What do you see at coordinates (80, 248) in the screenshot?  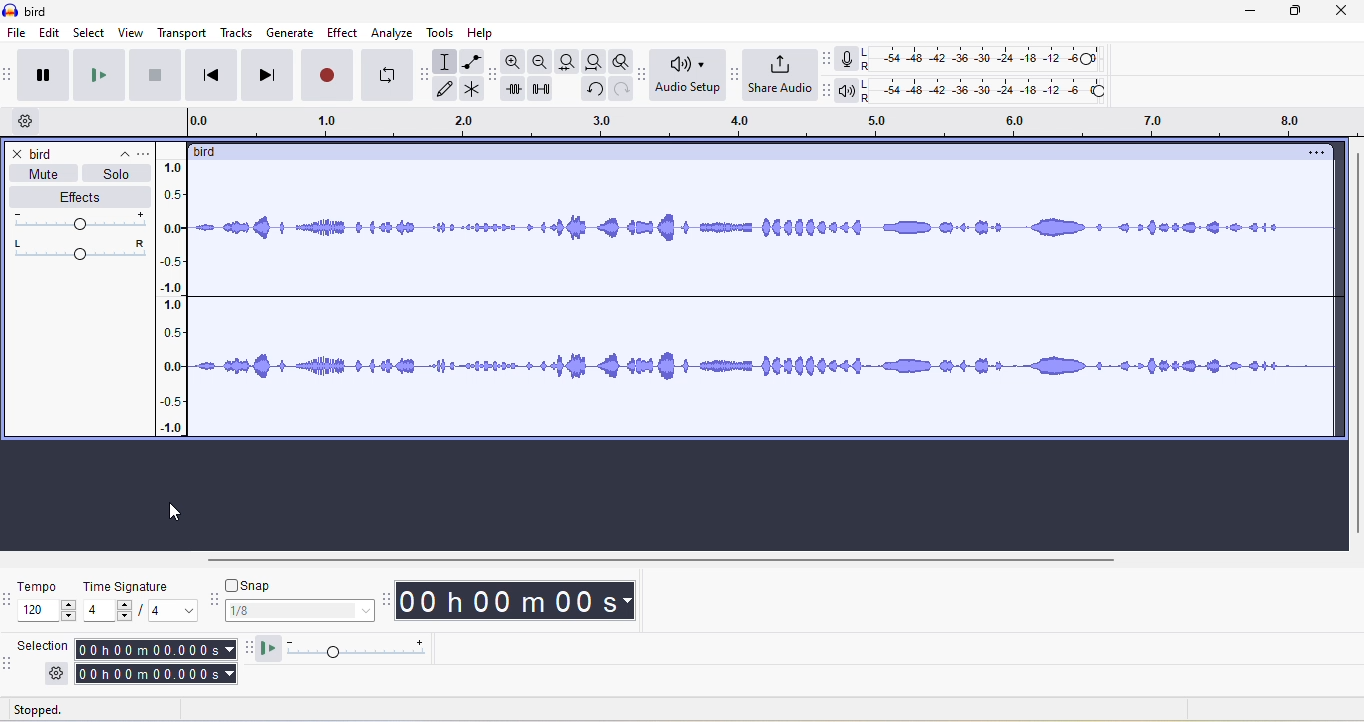 I see `pan:  center` at bounding box center [80, 248].